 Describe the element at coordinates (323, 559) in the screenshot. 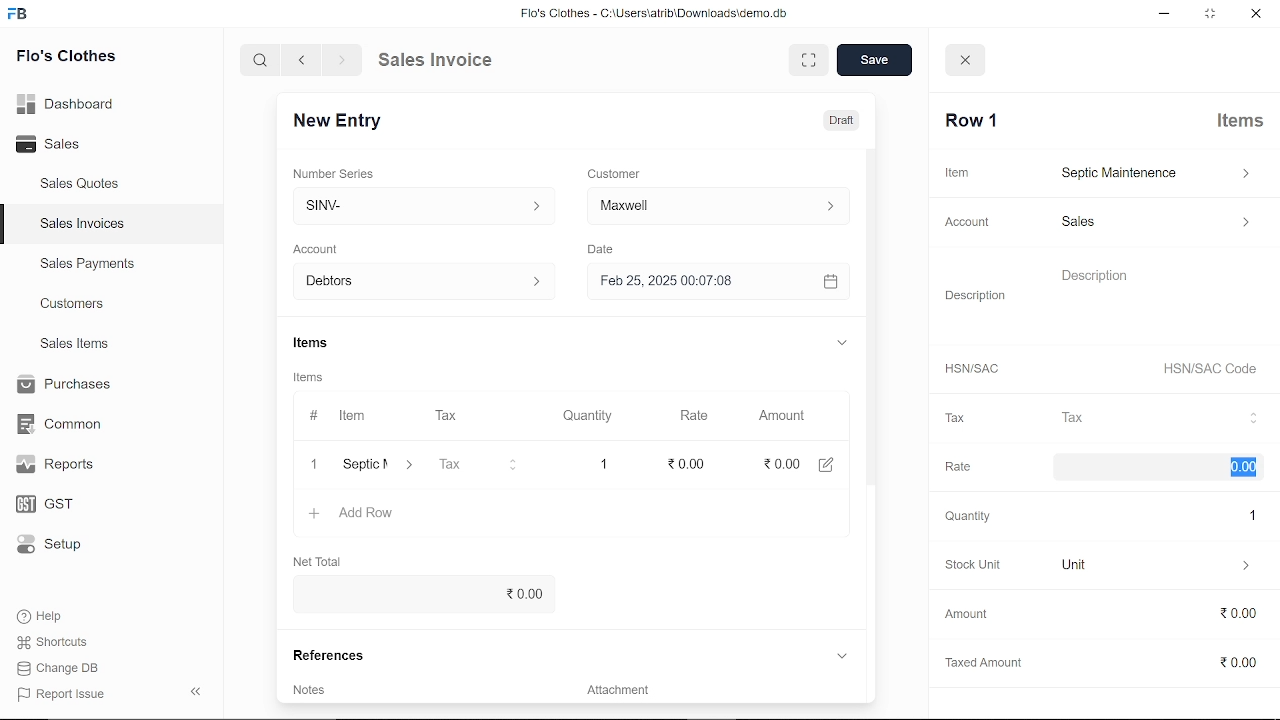

I see `Net Total` at that location.